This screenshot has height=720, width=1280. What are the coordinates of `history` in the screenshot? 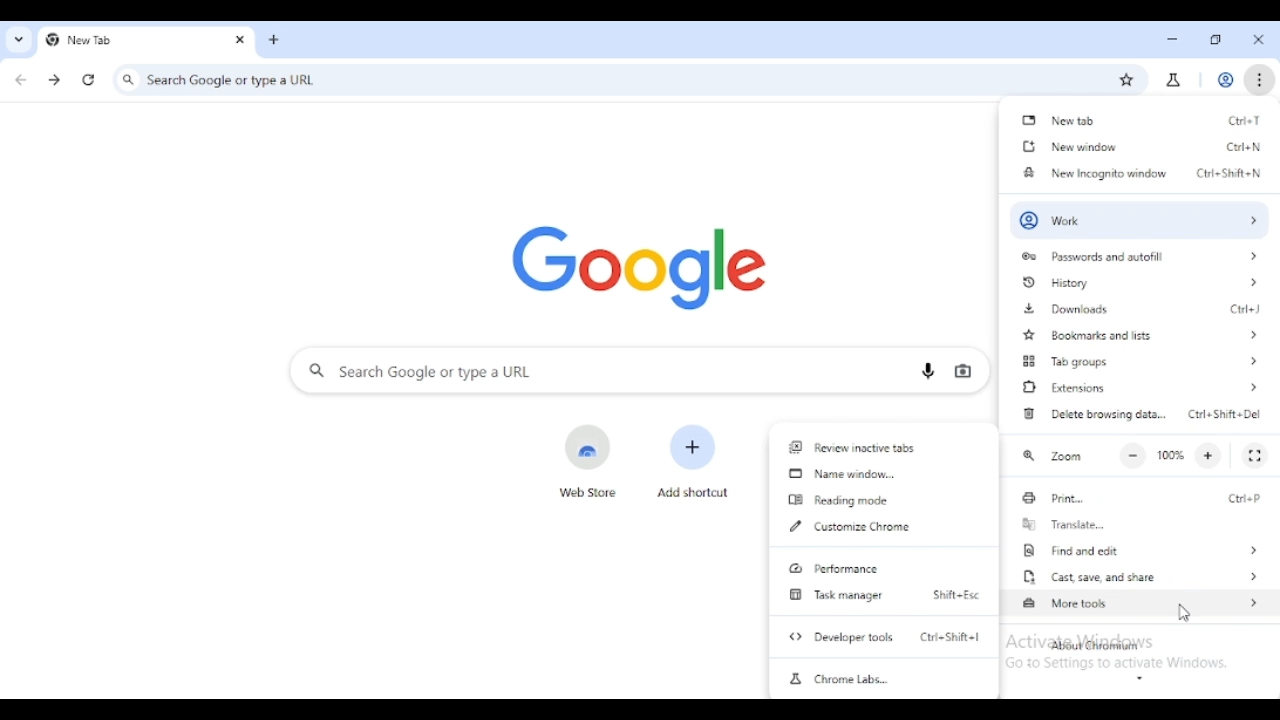 It's located at (1140, 282).